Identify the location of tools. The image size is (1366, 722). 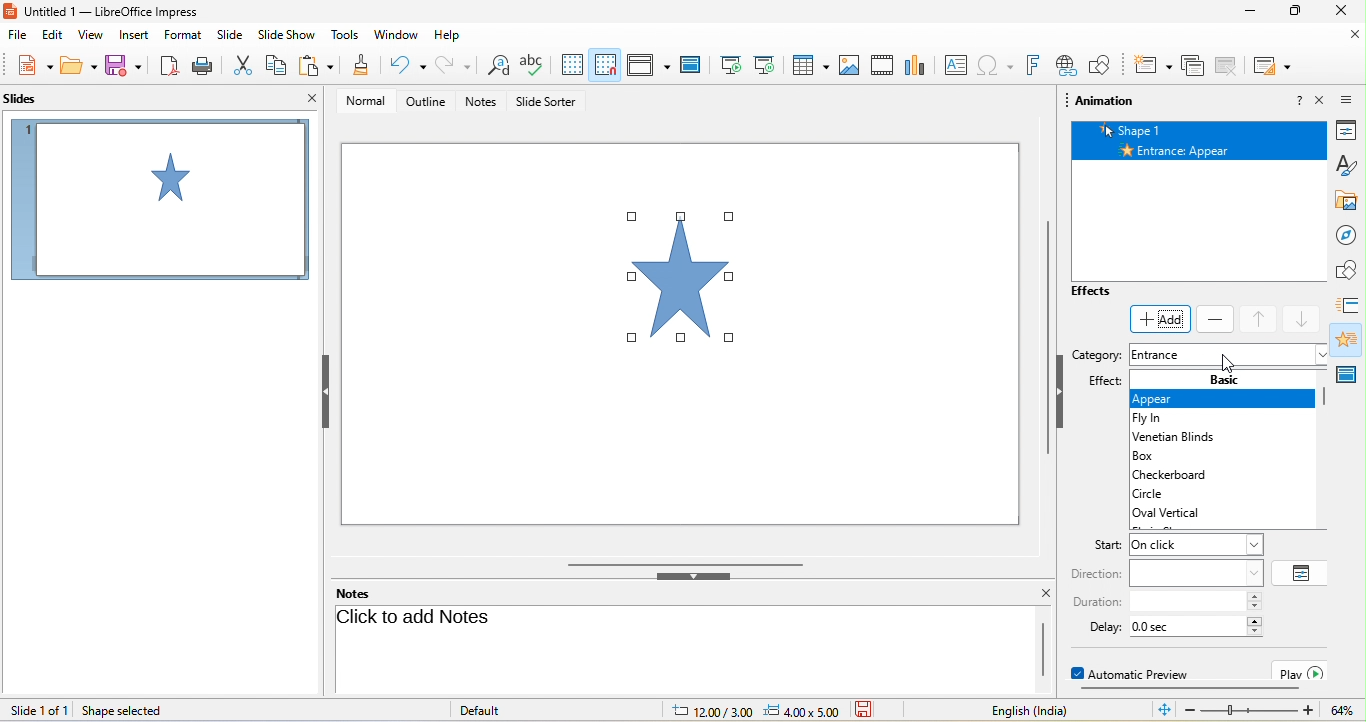
(344, 36).